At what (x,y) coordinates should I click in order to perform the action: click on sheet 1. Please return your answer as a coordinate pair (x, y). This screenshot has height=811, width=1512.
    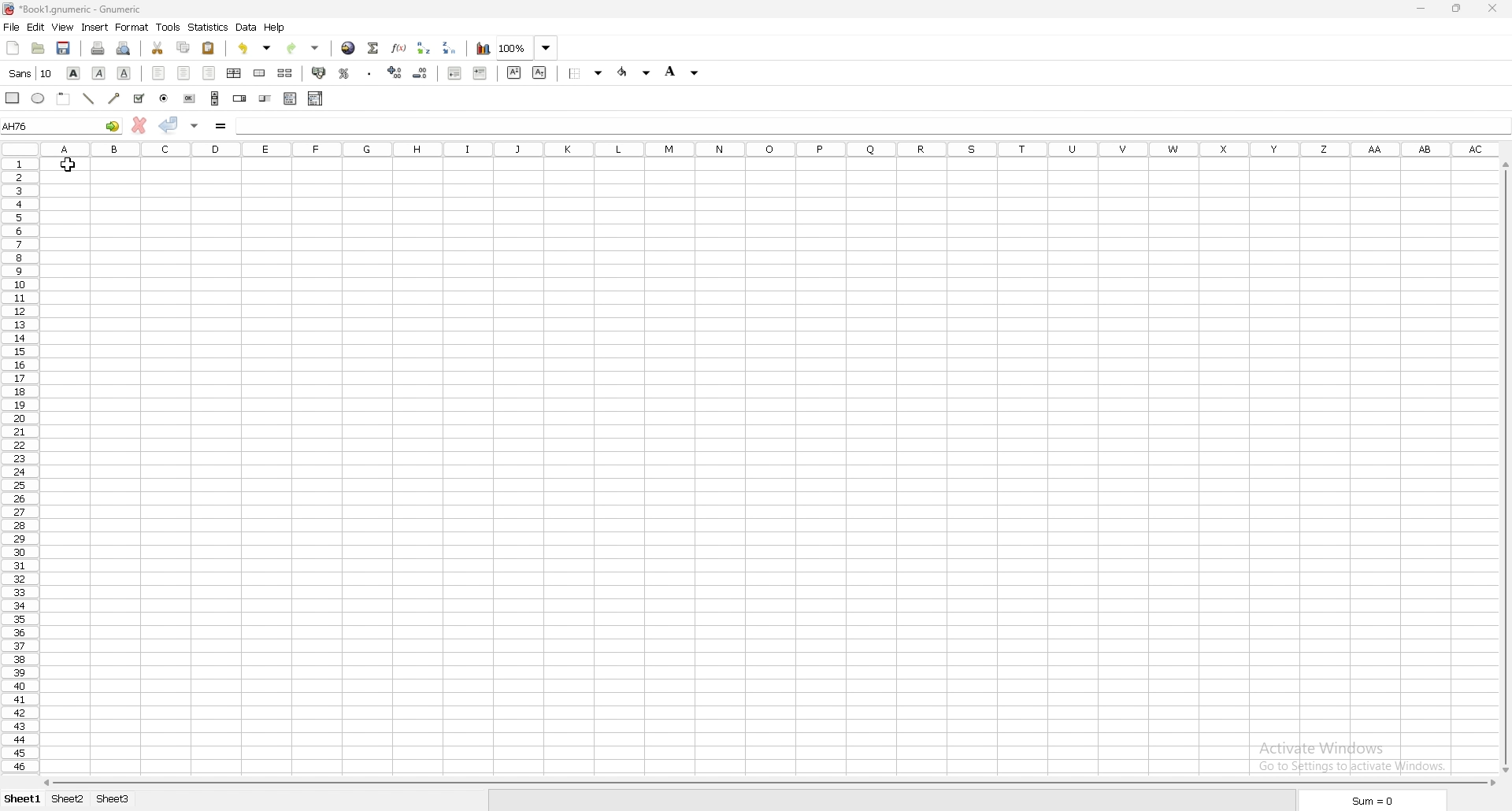
    Looking at the image, I should click on (24, 799).